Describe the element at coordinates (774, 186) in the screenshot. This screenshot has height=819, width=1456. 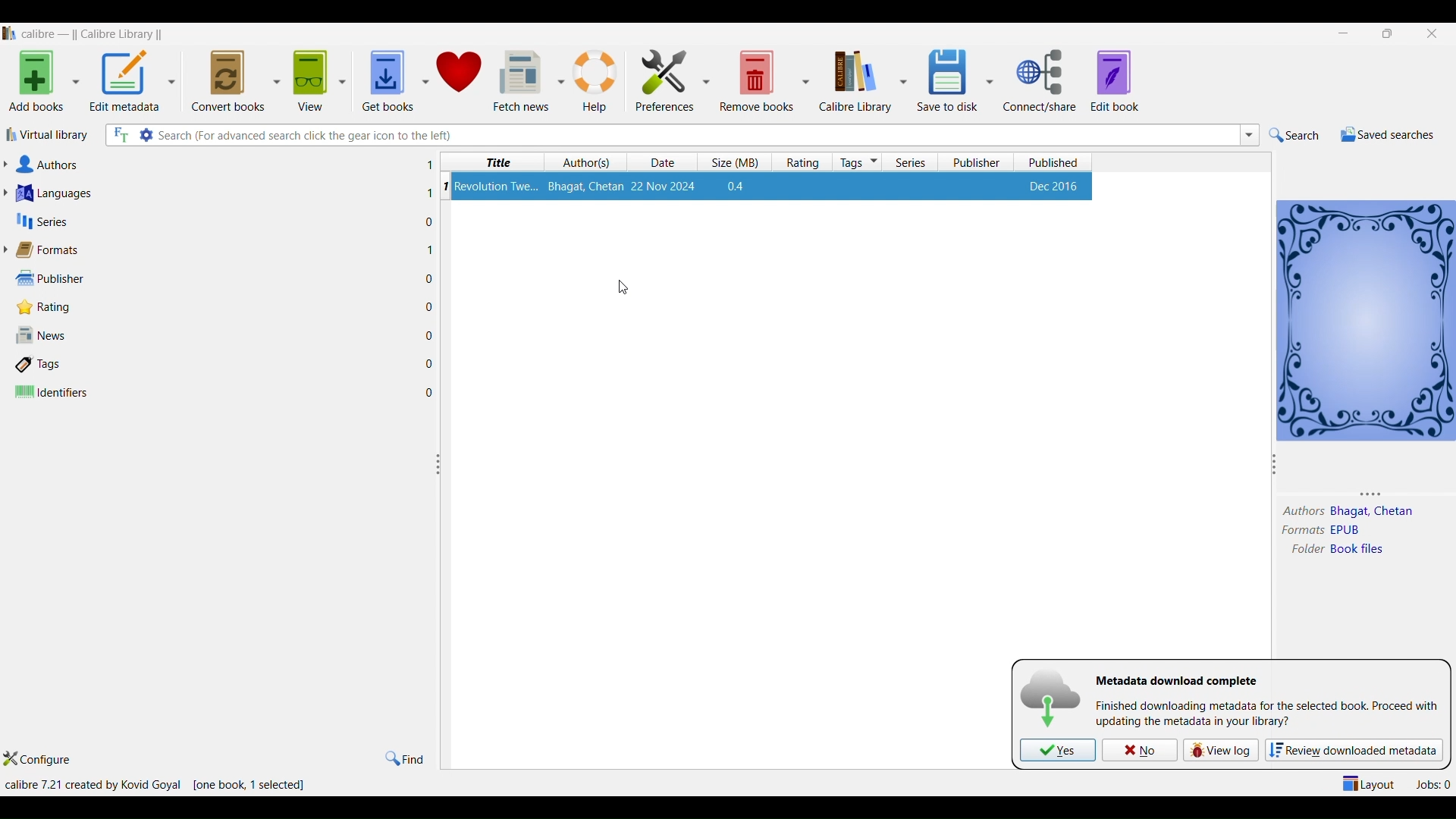
I see `book details` at that location.